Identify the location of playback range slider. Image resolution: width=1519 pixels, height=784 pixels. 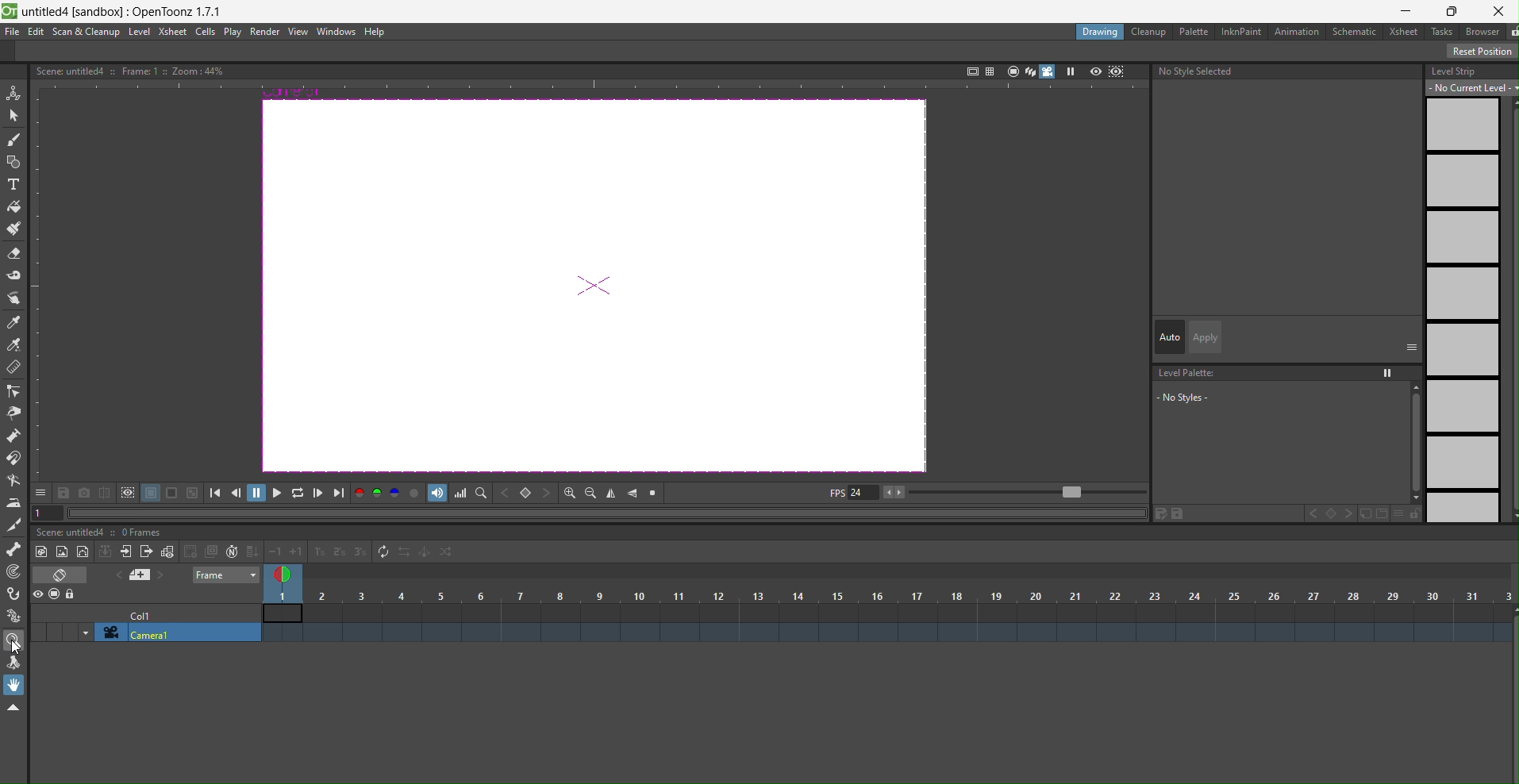
(1017, 490).